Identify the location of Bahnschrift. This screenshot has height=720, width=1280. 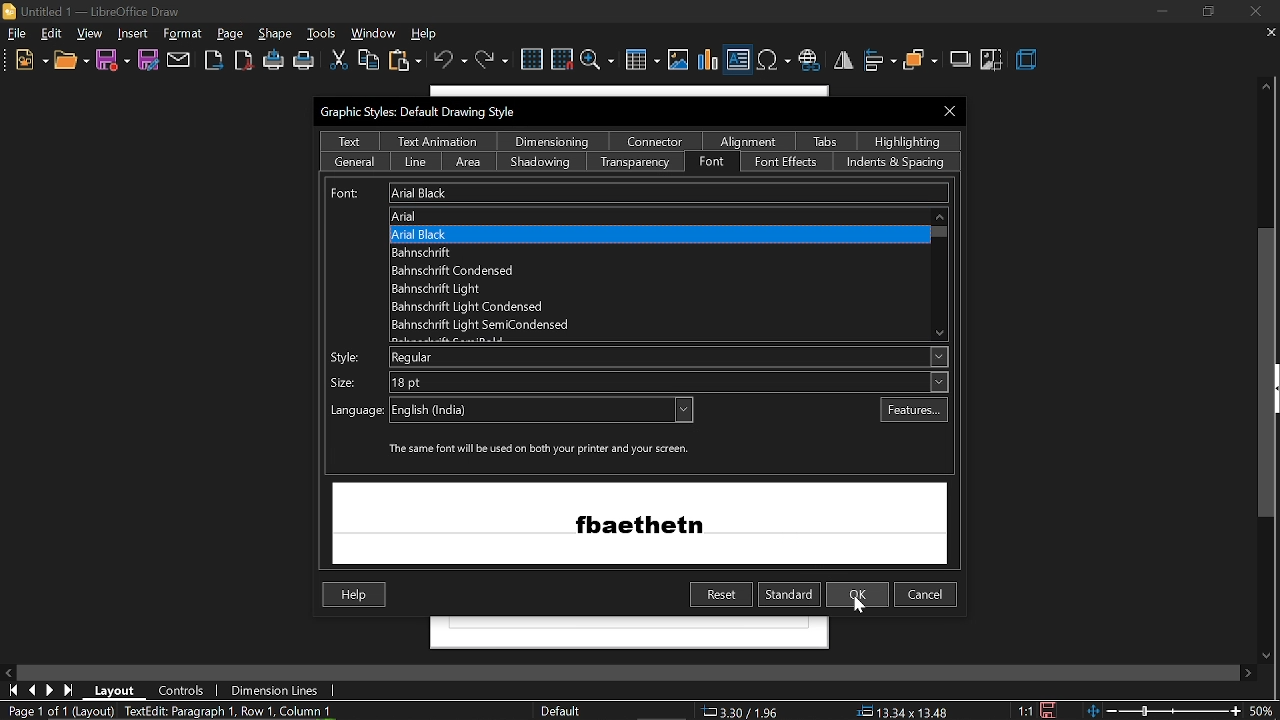
(441, 252).